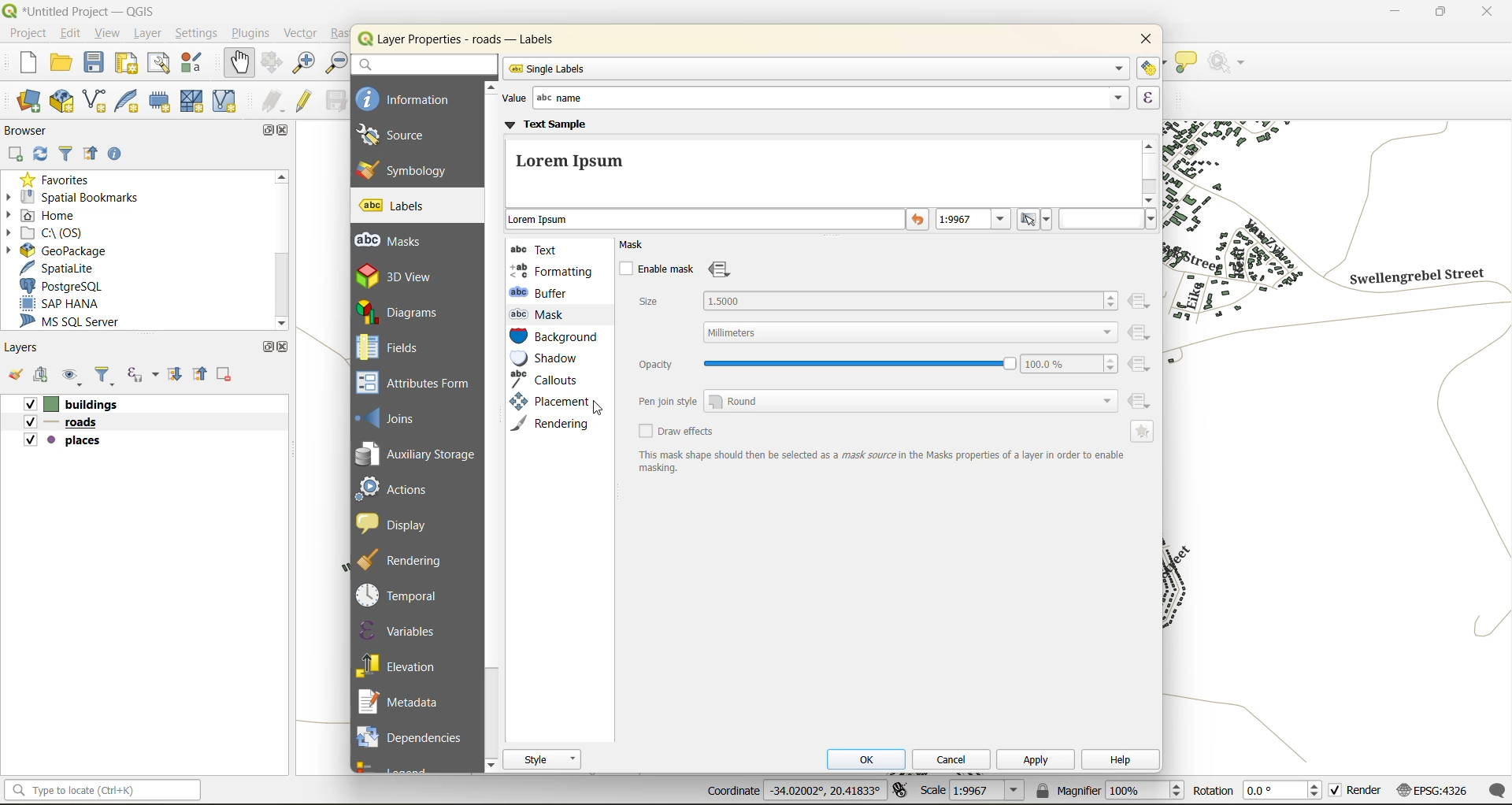 Image resolution: width=1512 pixels, height=805 pixels. I want to click on vertical scroll bar, so click(1152, 170).